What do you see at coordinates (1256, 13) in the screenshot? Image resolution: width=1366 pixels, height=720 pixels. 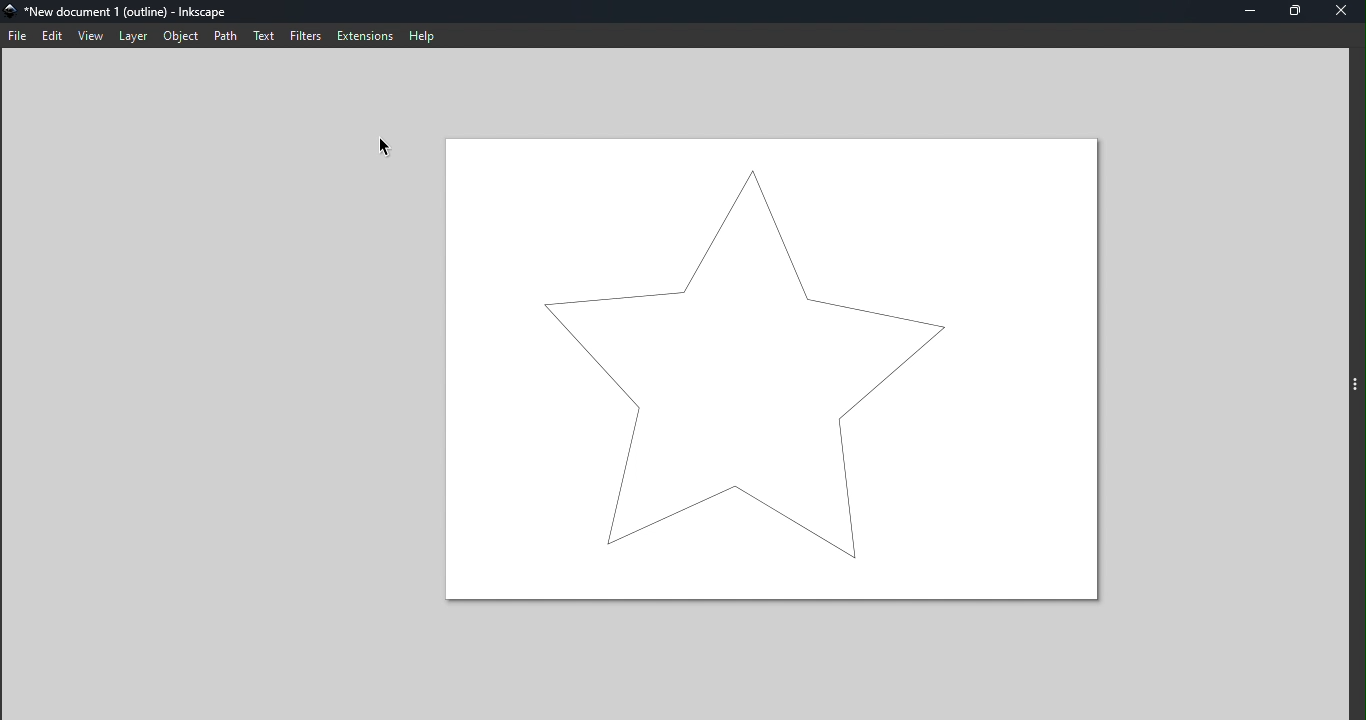 I see `Minimize` at bounding box center [1256, 13].